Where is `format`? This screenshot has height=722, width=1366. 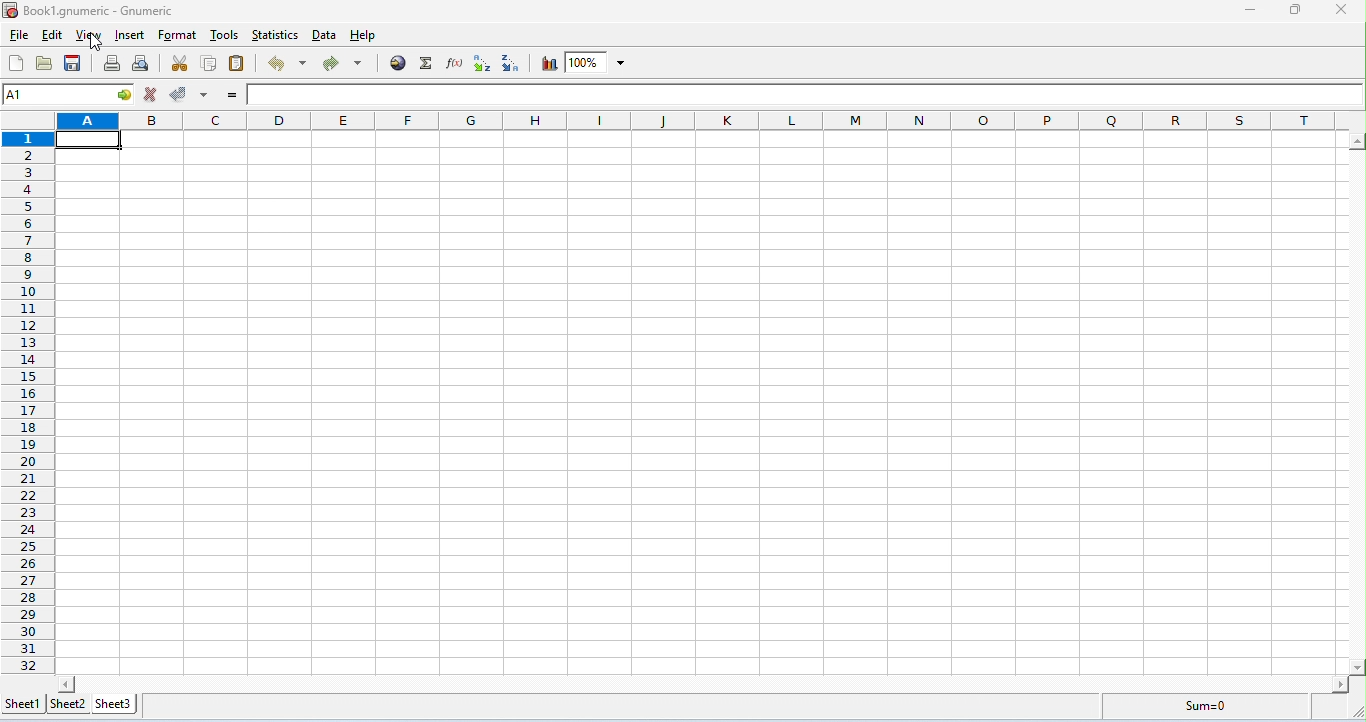
format is located at coordinates (178, 36).